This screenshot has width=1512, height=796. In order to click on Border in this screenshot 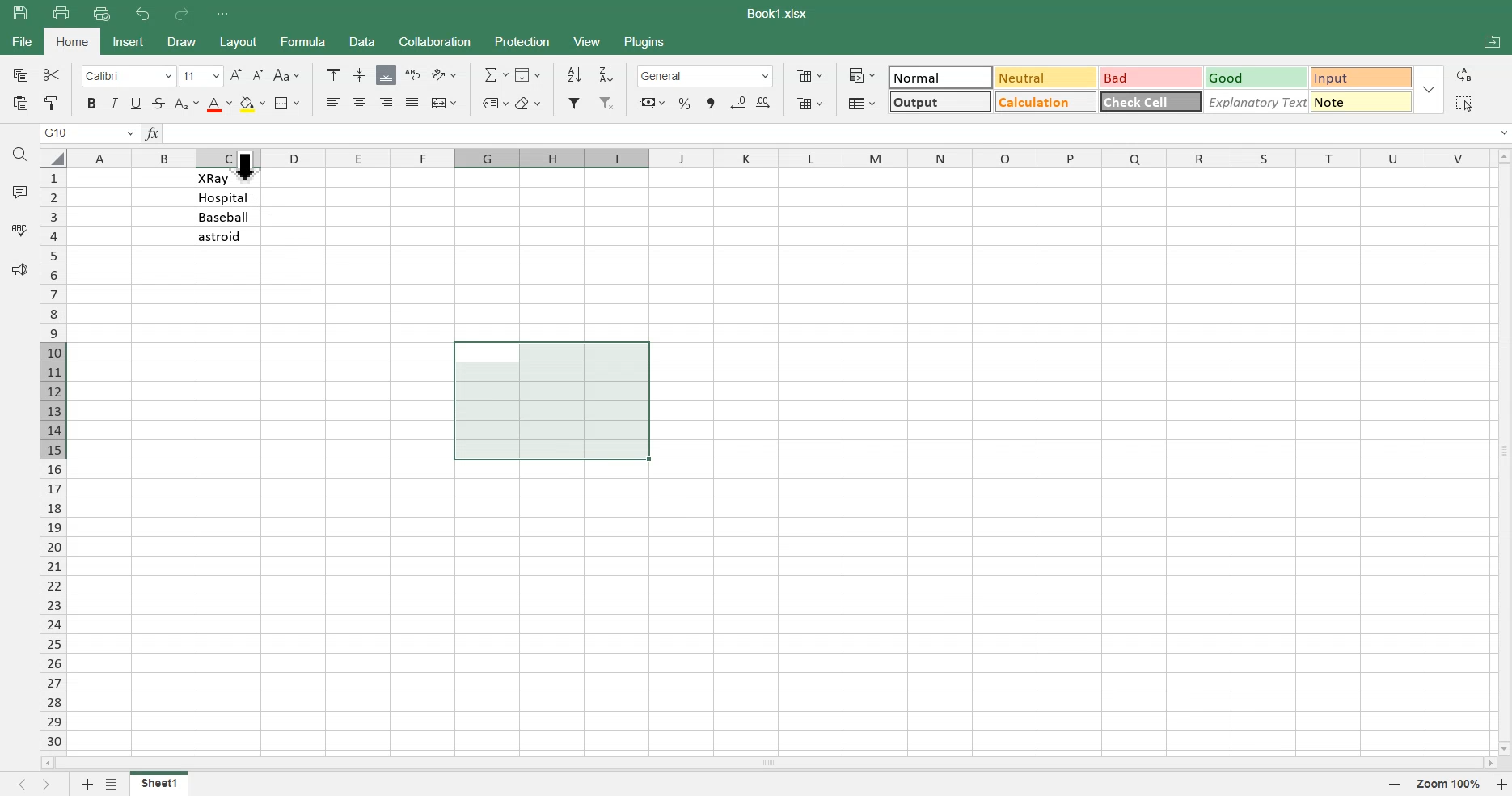, I will do `click(287, 104)`.